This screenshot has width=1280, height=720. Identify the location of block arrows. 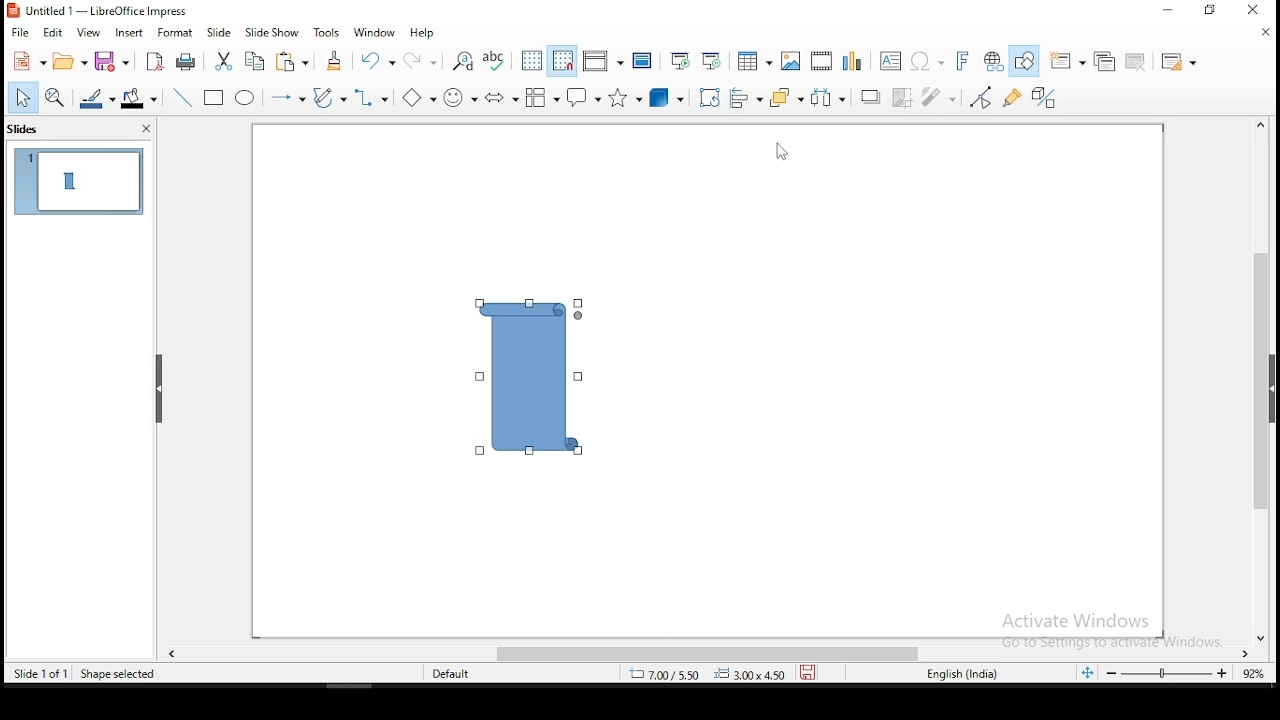
(502, 97).